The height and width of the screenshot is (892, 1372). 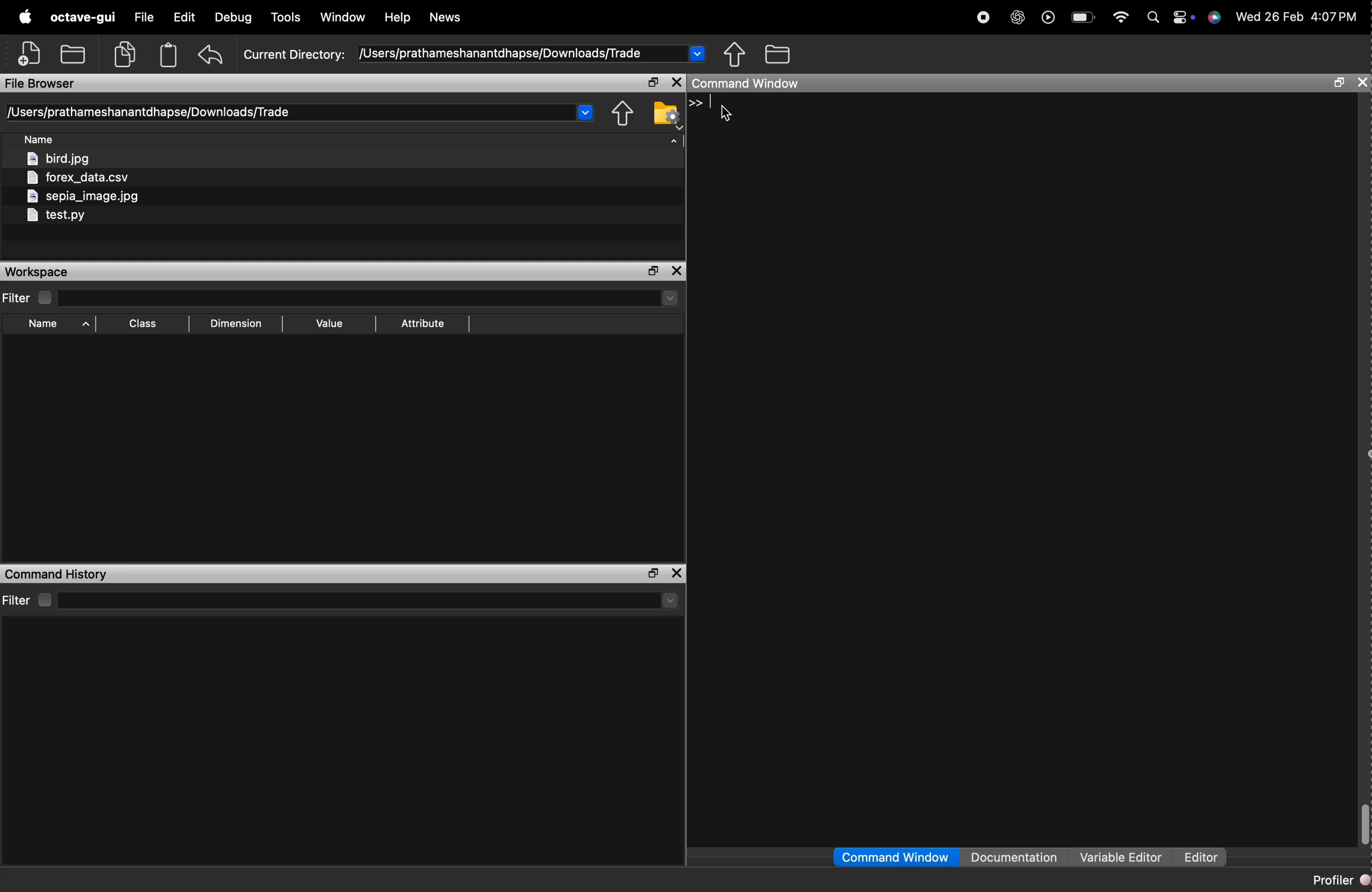 I want to click on /Users/prathameshanantdhapse/Downloads/Trade, so click(x=502, y=54).